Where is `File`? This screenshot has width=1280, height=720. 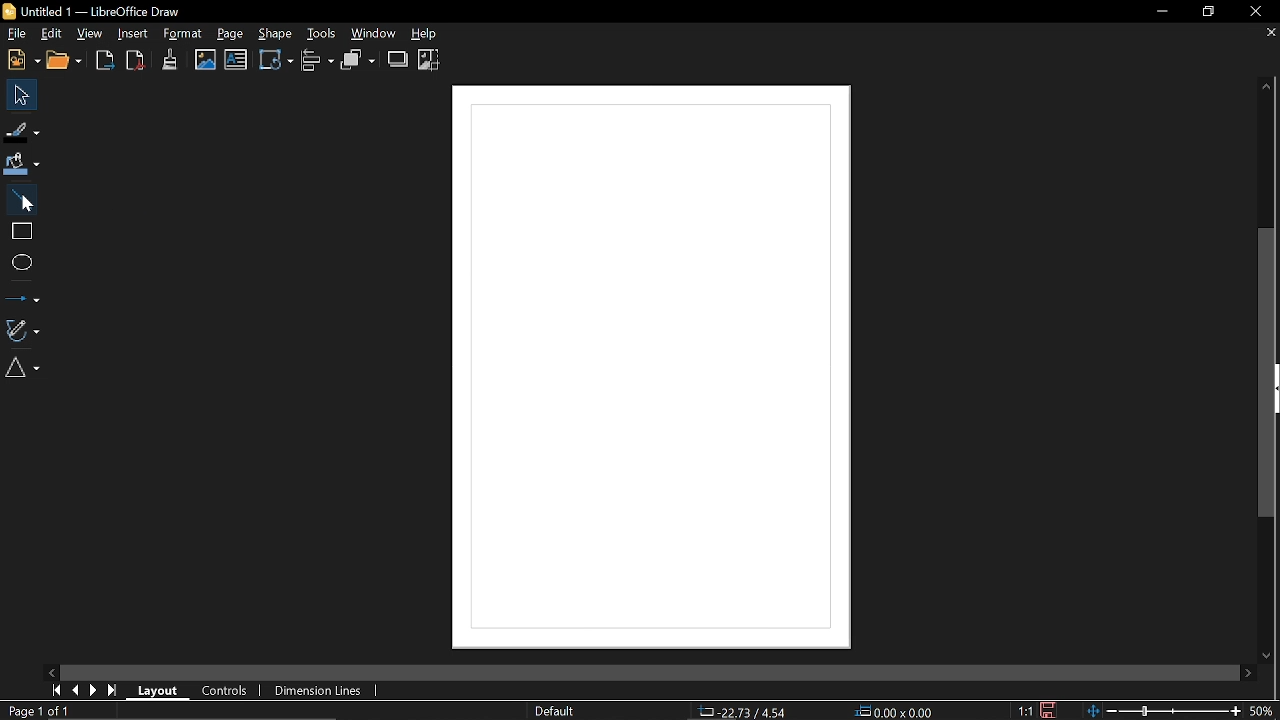 File is located at coordinates (16, 33).